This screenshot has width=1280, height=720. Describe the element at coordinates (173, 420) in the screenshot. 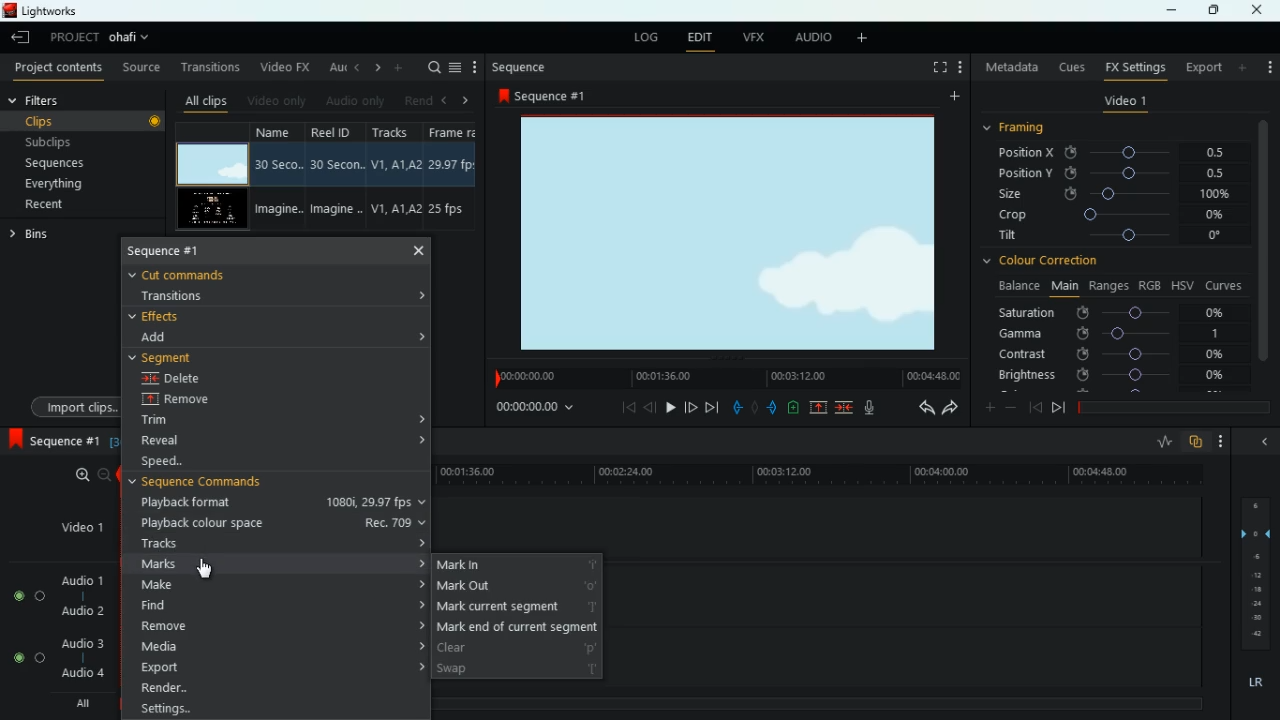

I see `trim` at that location.